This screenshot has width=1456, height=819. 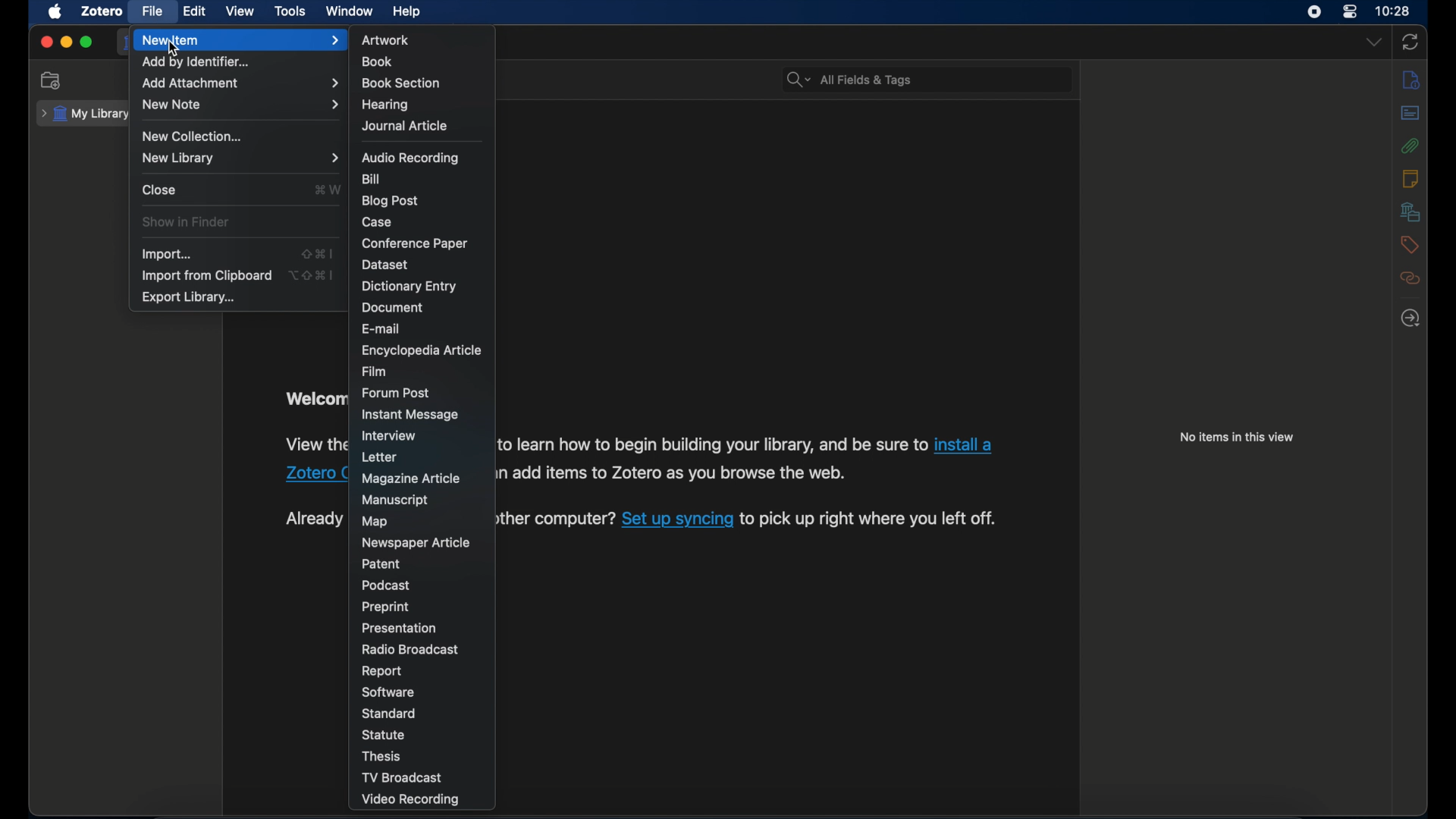 What do you see at coordinates (713, 446) in the screenshot?
I see `link` at bounding box center [713, 446].